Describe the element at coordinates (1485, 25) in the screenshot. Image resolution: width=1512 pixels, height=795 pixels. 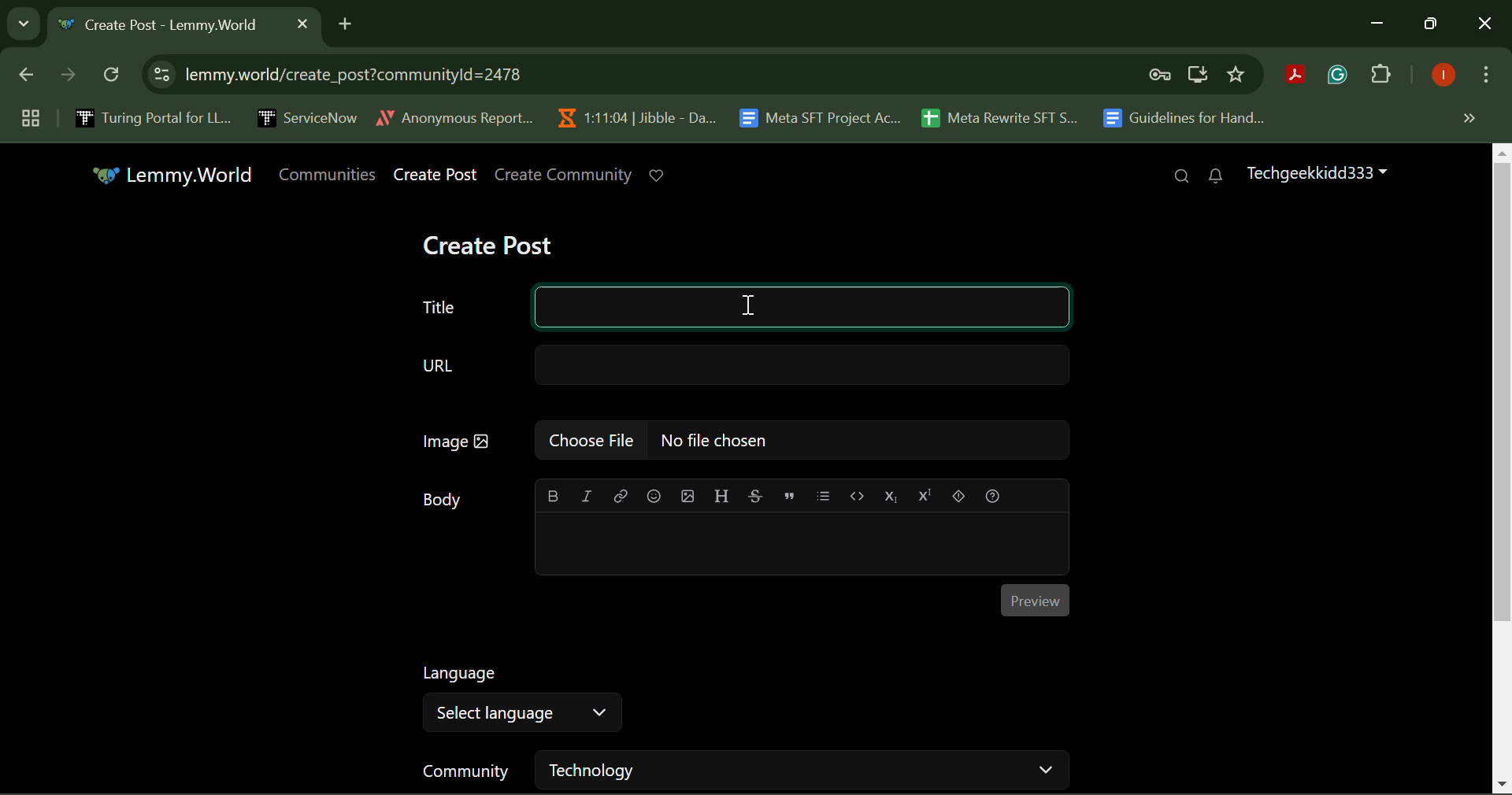
I see `Close Window` at that location.